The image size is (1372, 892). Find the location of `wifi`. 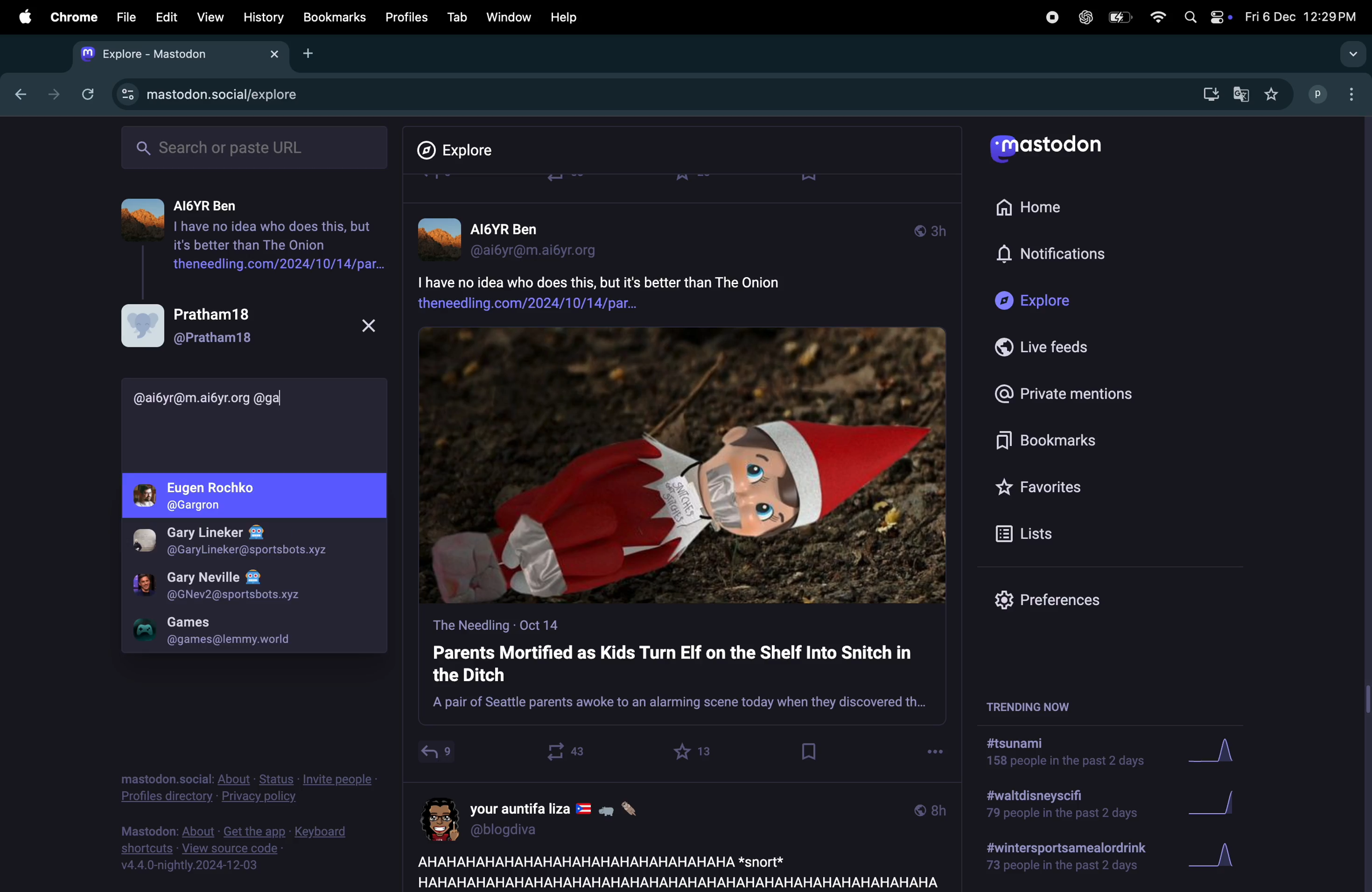

wifi is located at coordinates (1157, 17).